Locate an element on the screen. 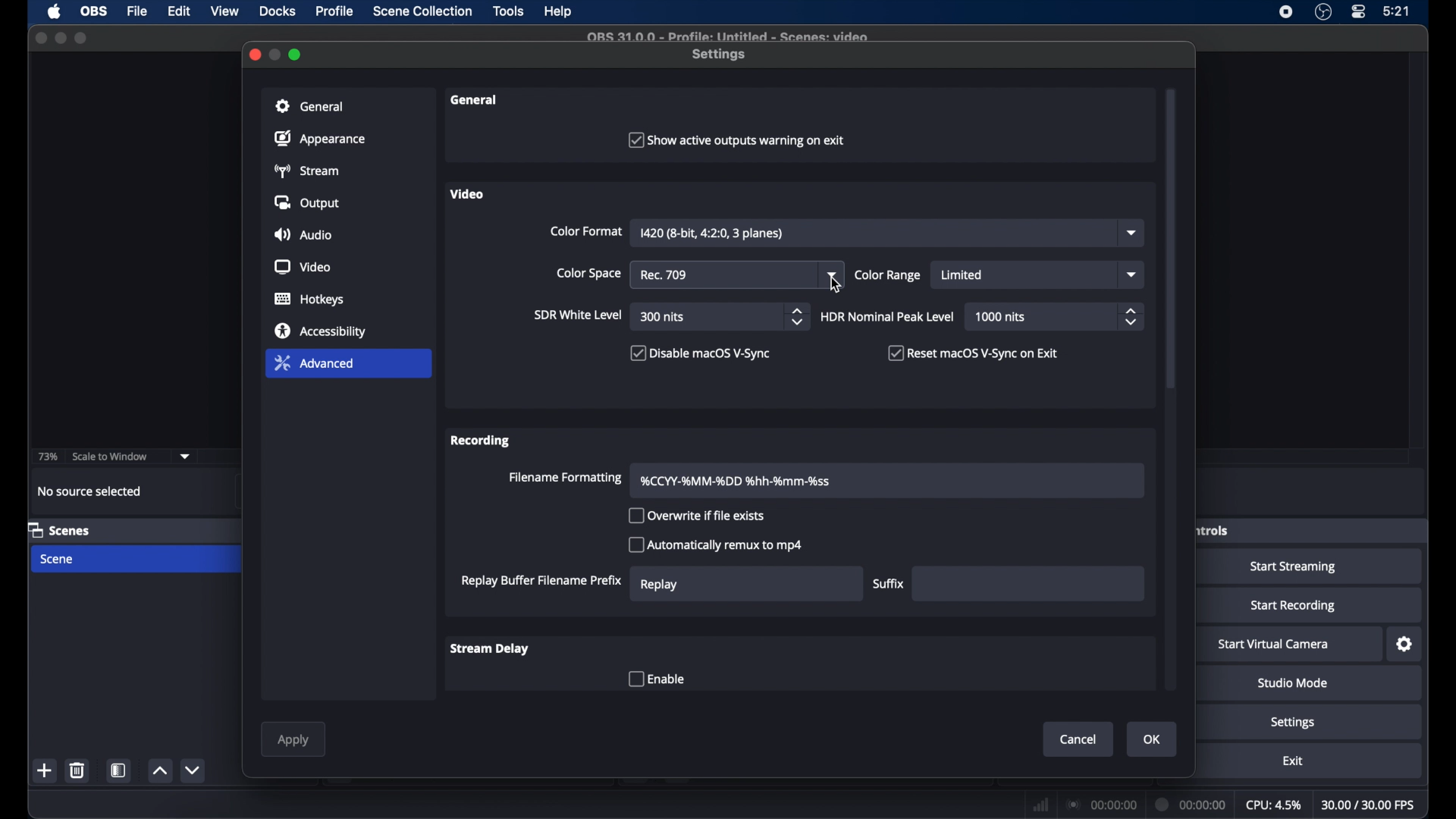 This screenshot has width=1456, height=819. general is located at coordinates (312, 107).